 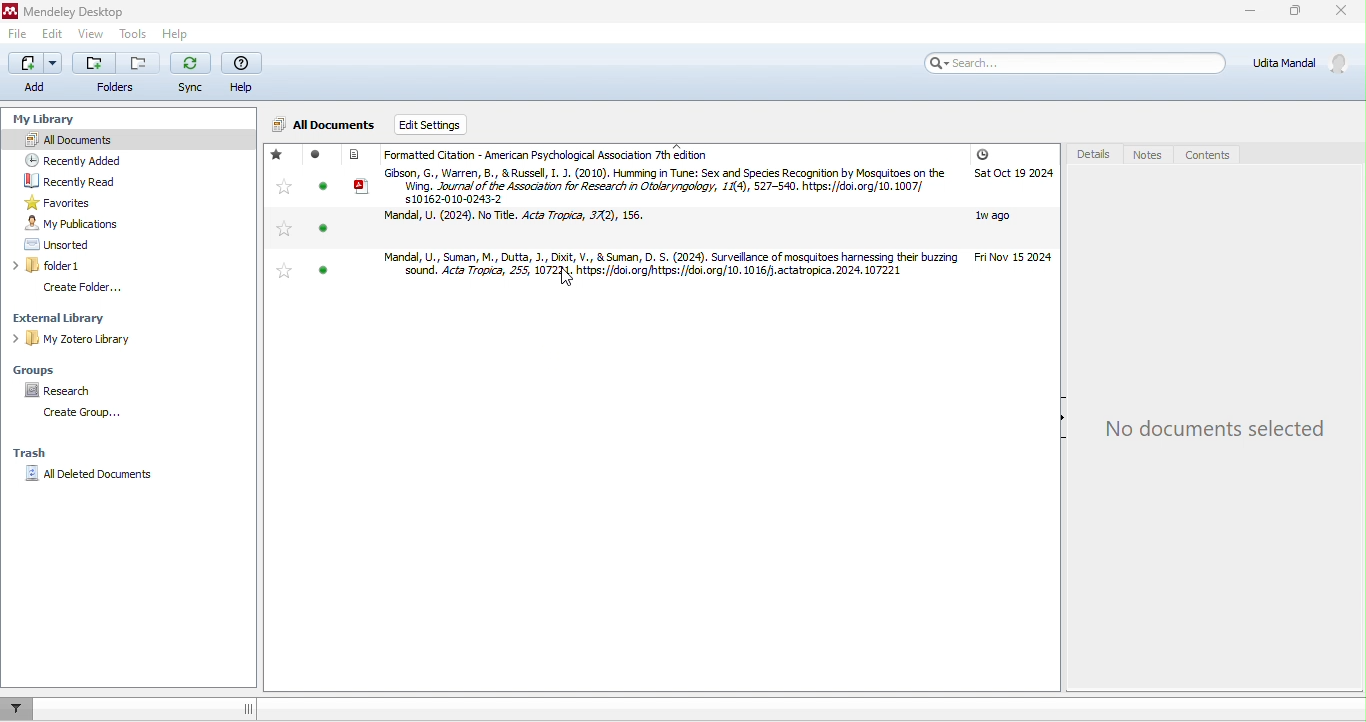 What do you see at coordinates (45, 368) in the screenshot?
I see `groups` at bounding box center [45, 368].